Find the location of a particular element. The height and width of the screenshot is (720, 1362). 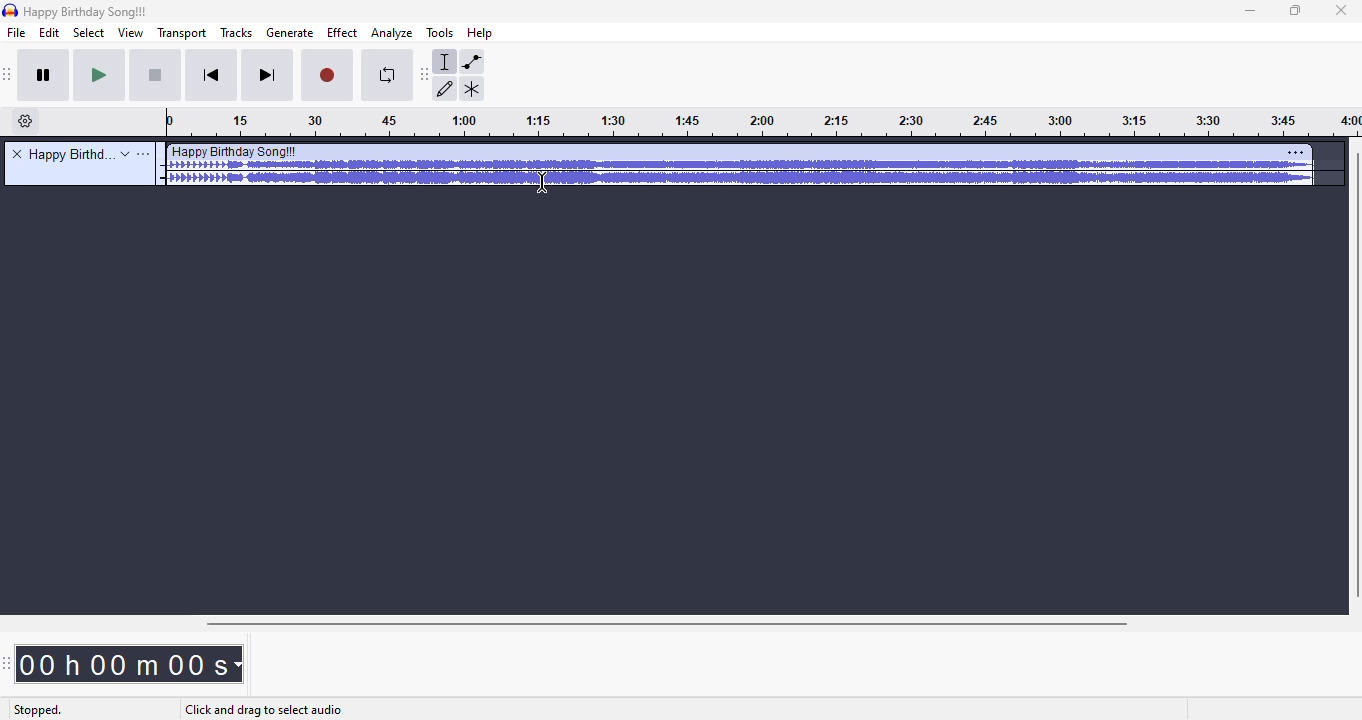

select is located at coordinates (89, 33).